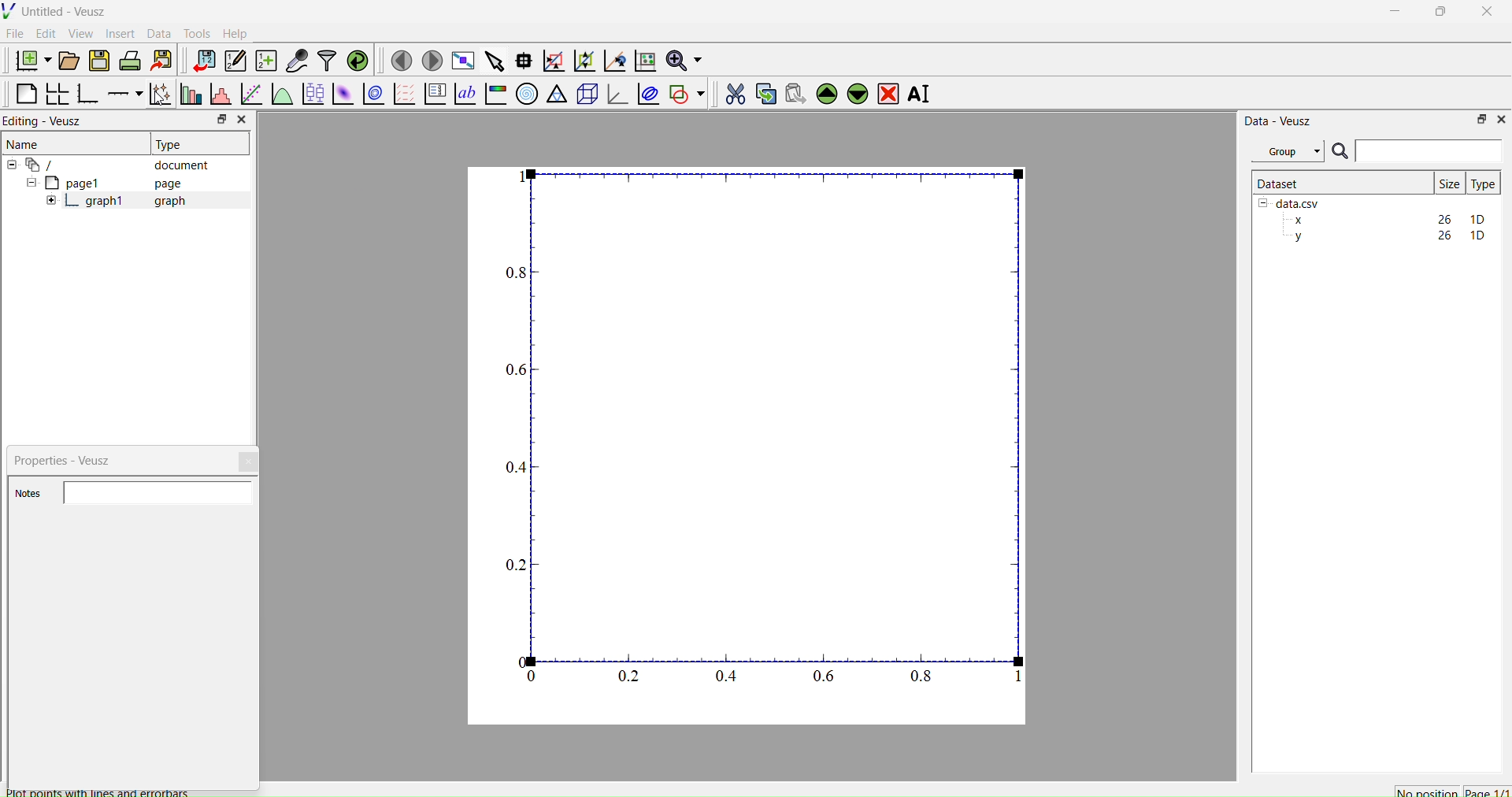 The height and width of the screenshot is (797, 1512). Describe the element at coordinates (402, 61) in the screenshot. I see `Previous page` at that location.